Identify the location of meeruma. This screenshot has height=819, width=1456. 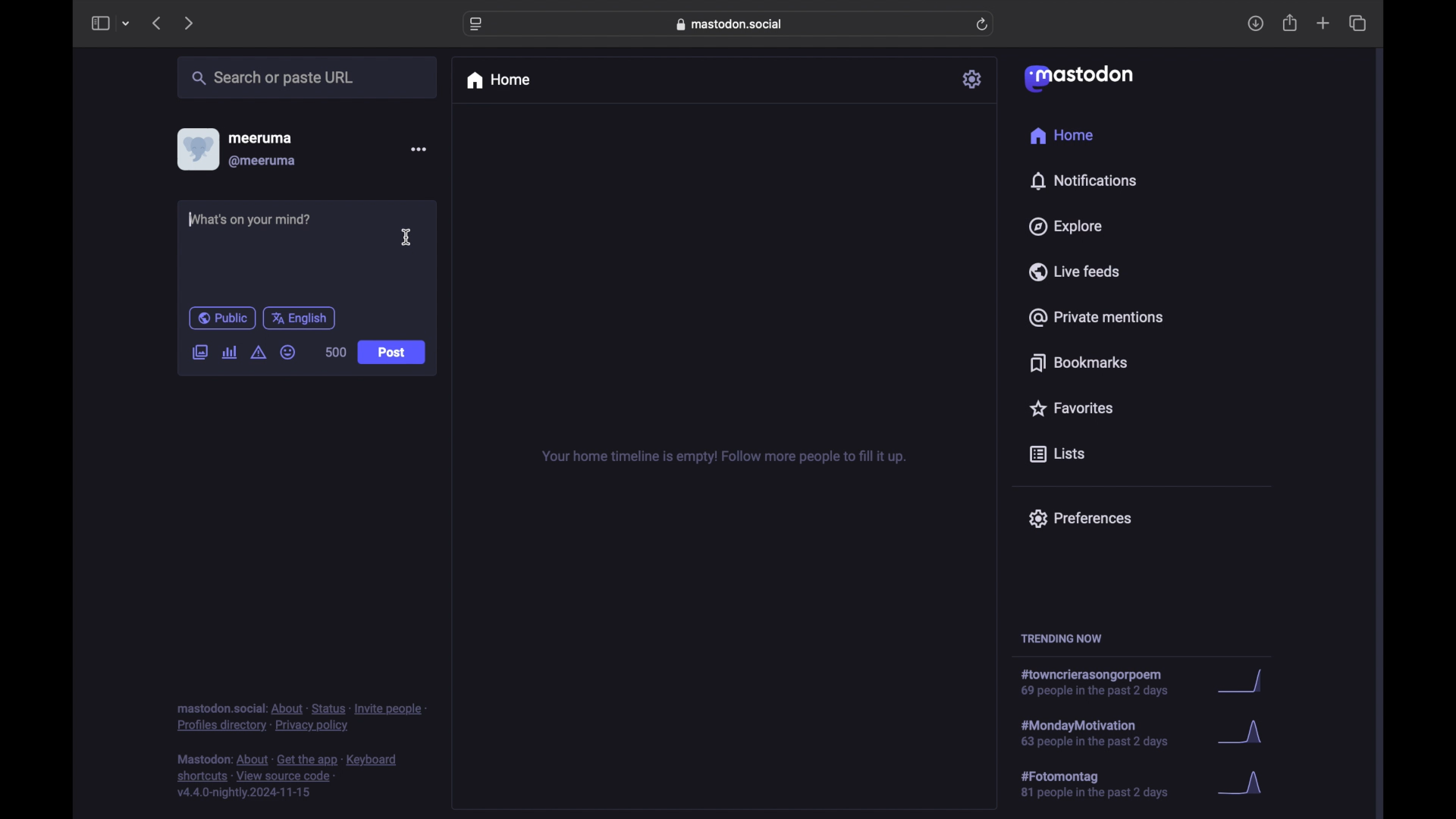
(260, 137).